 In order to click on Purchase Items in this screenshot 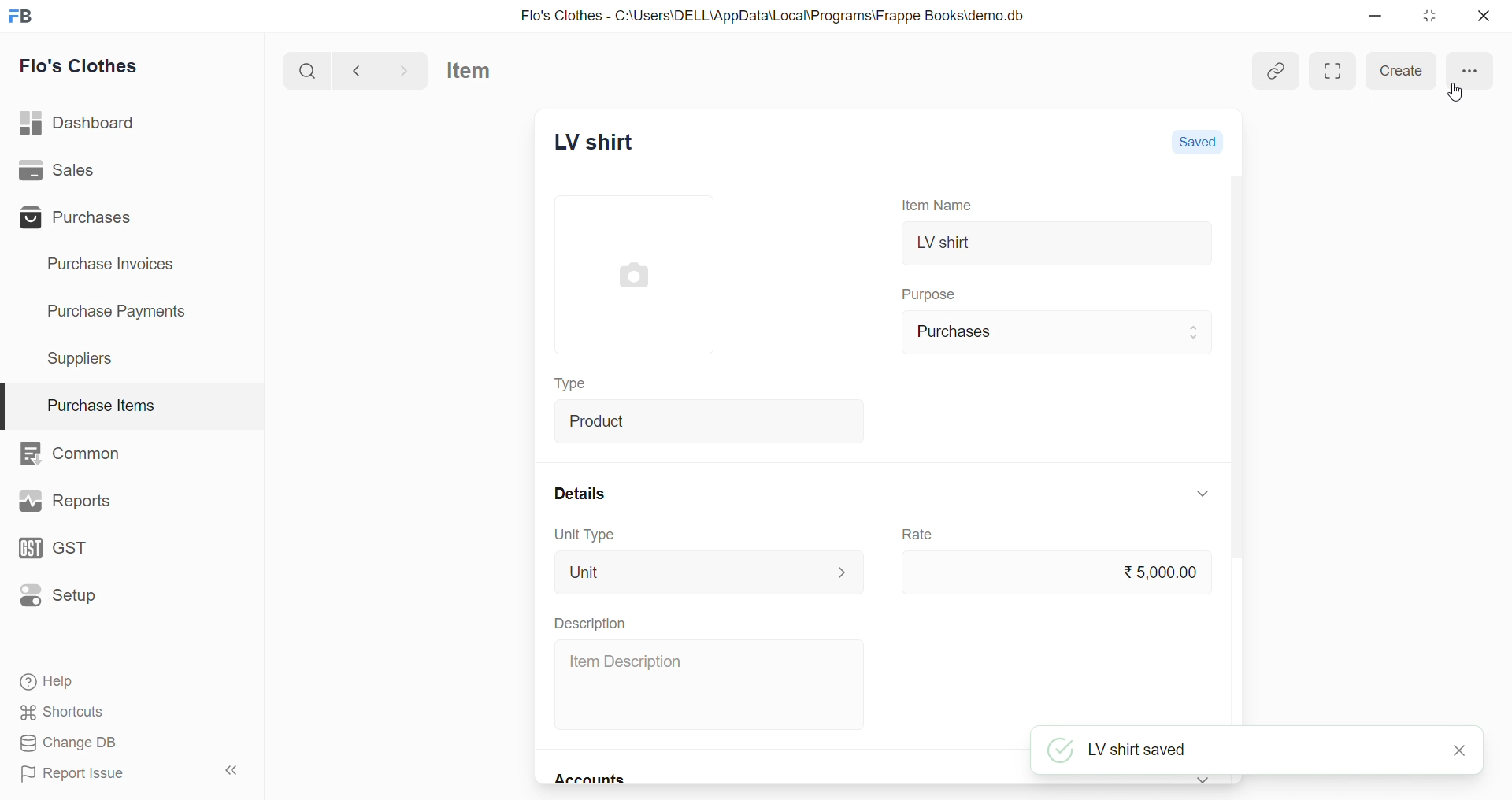, I will do `click(132, 401)`.